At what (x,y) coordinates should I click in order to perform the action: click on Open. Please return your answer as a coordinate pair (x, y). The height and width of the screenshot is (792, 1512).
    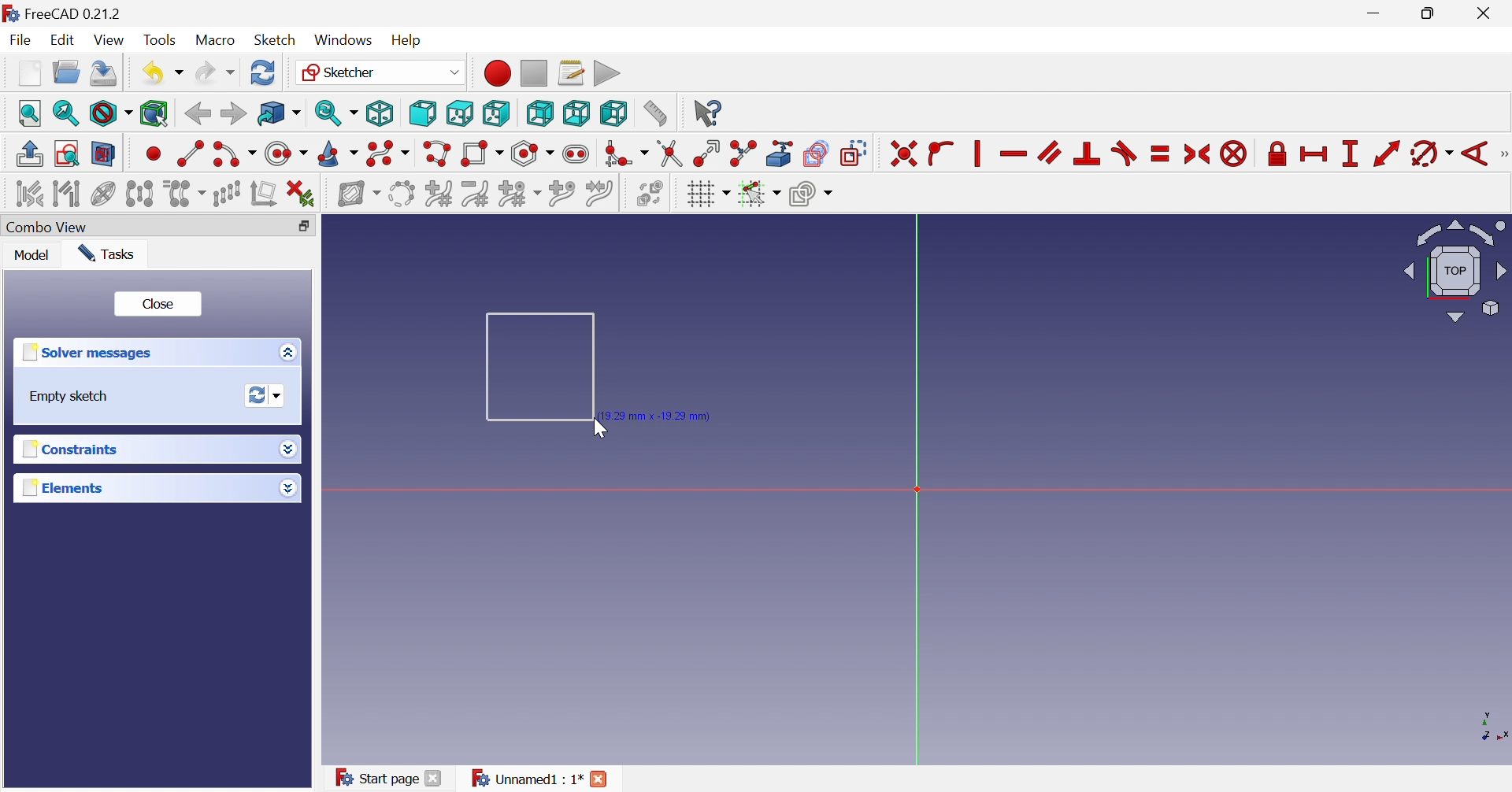
    Looking at the image, I should click on (66, 72).